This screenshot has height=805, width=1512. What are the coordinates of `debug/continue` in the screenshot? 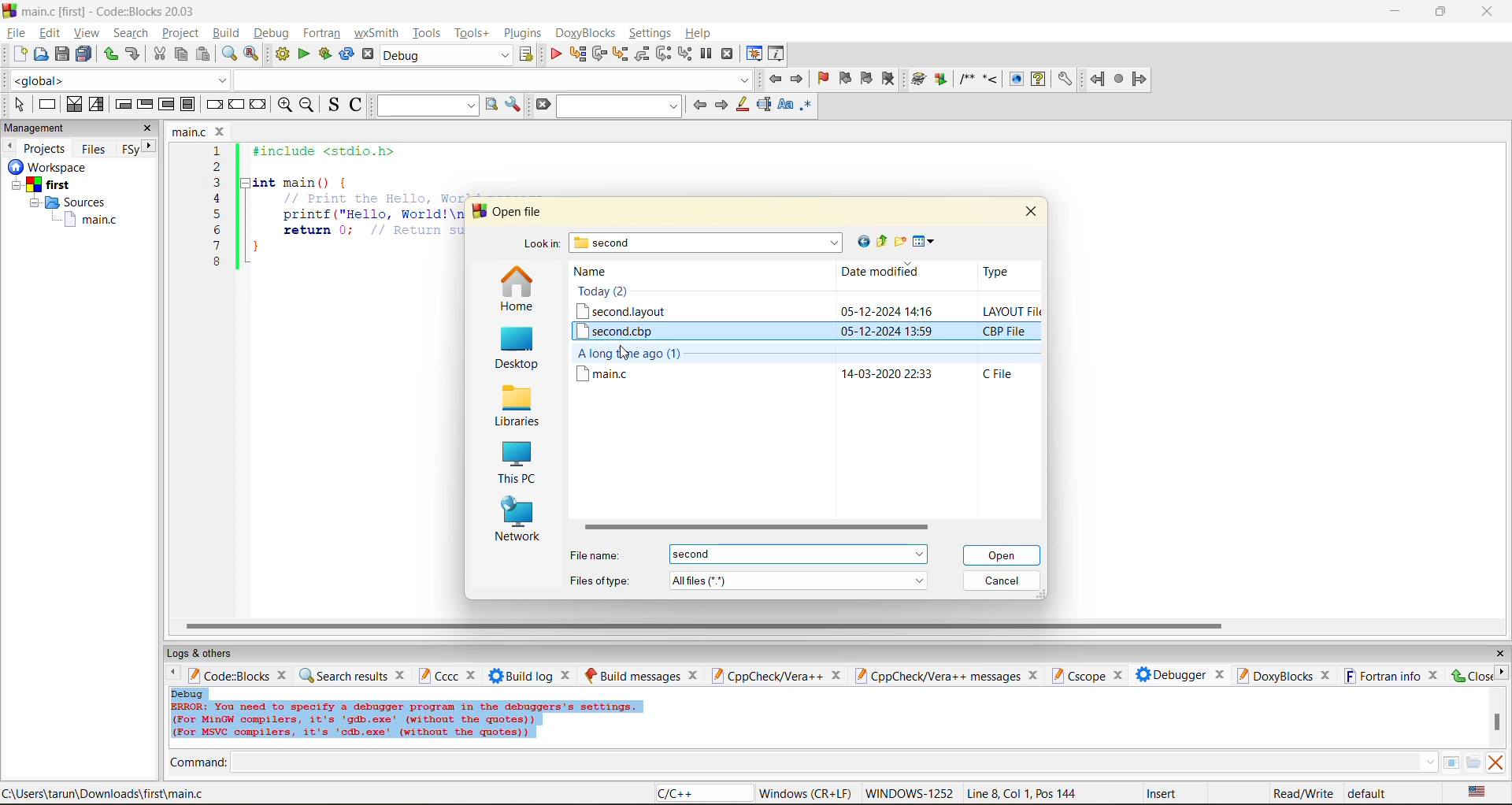 It's located at (555, 54).